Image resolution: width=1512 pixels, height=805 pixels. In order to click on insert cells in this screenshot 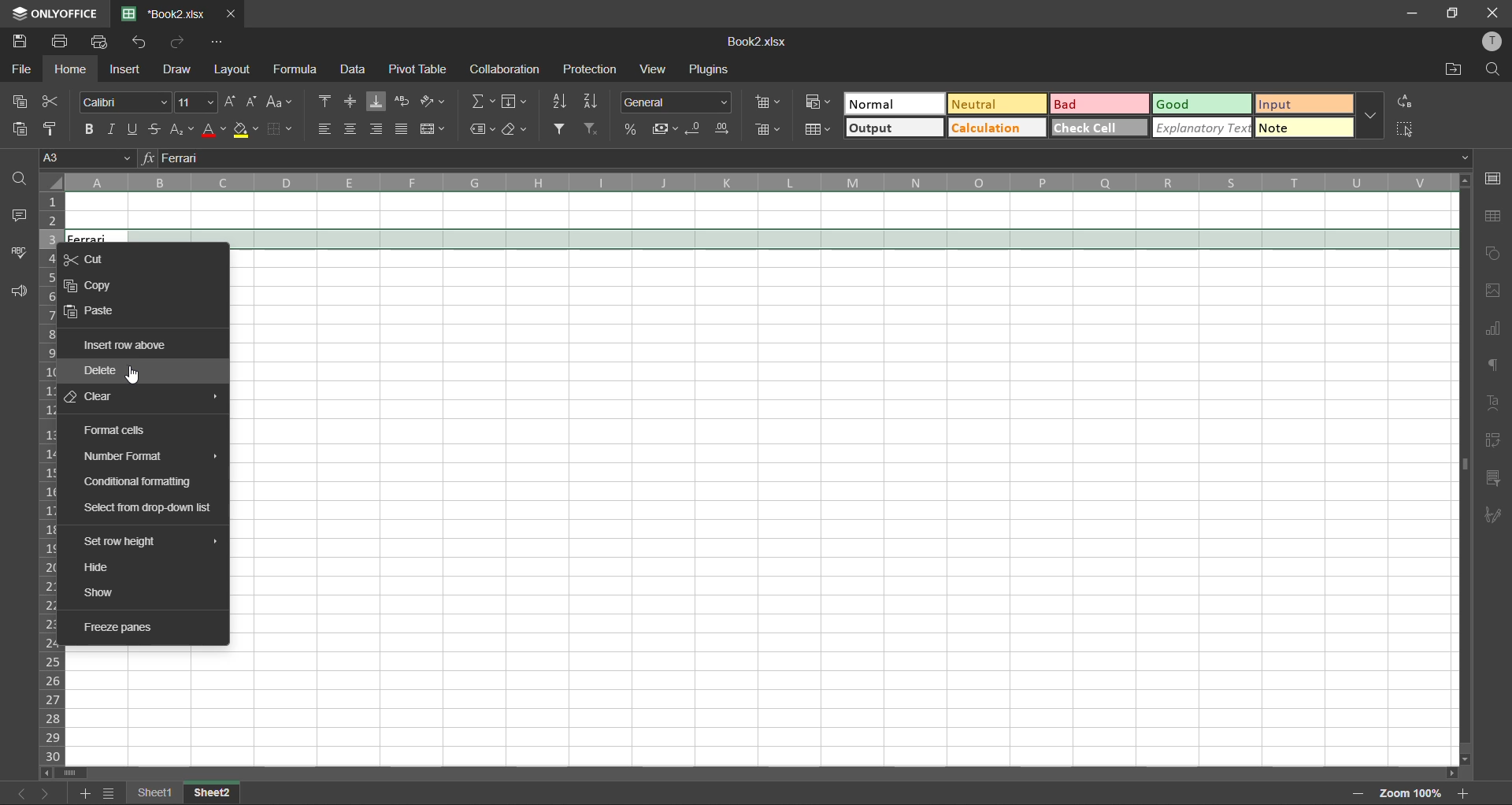, I will do `click(769, 102)`.